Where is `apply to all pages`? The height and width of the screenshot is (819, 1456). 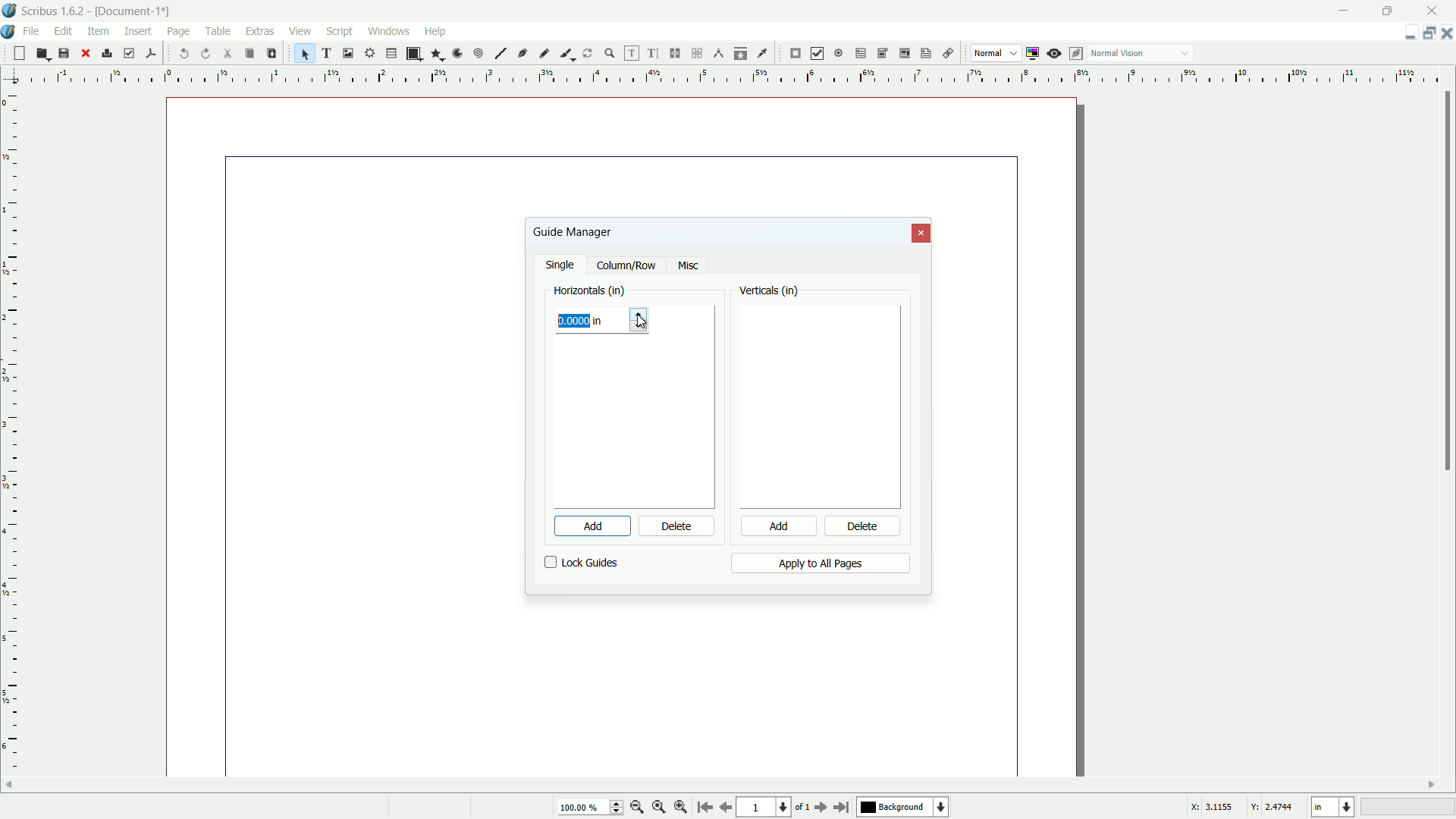 apply to all pages is located at coordinates (820, 563).